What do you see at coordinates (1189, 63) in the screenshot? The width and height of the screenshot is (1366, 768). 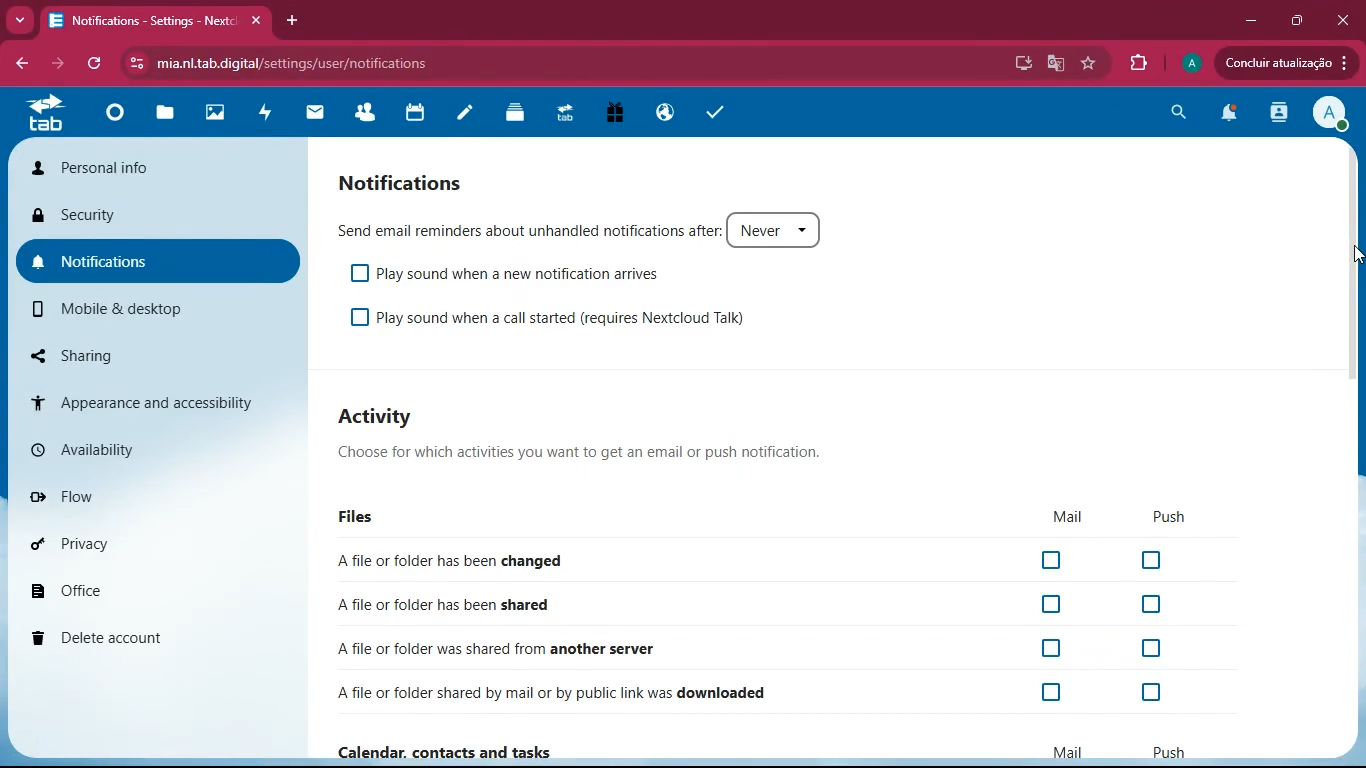 I see `profile` at bounding box center [1189, 63].